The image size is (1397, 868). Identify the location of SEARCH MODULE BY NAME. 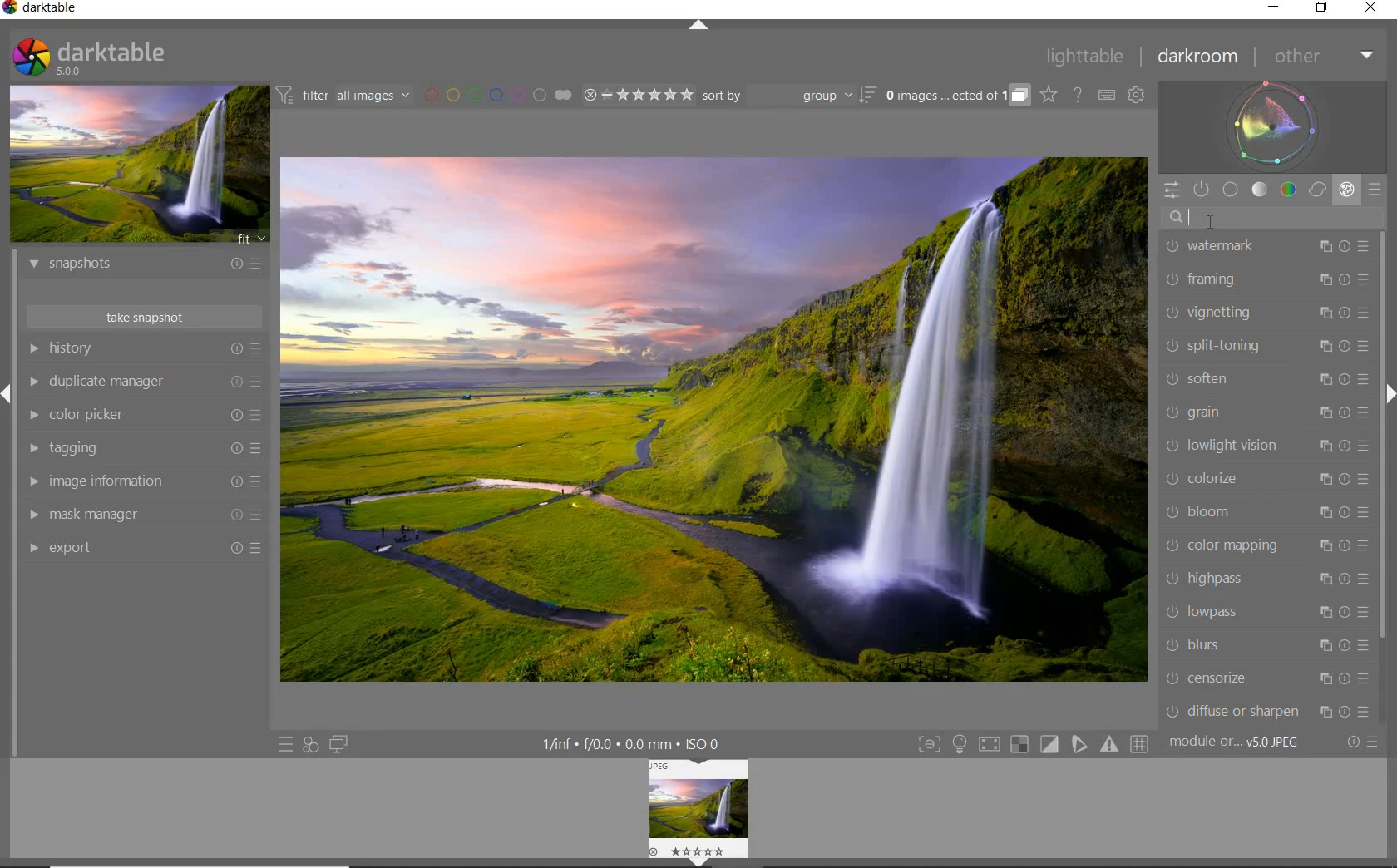
(1271, 218).